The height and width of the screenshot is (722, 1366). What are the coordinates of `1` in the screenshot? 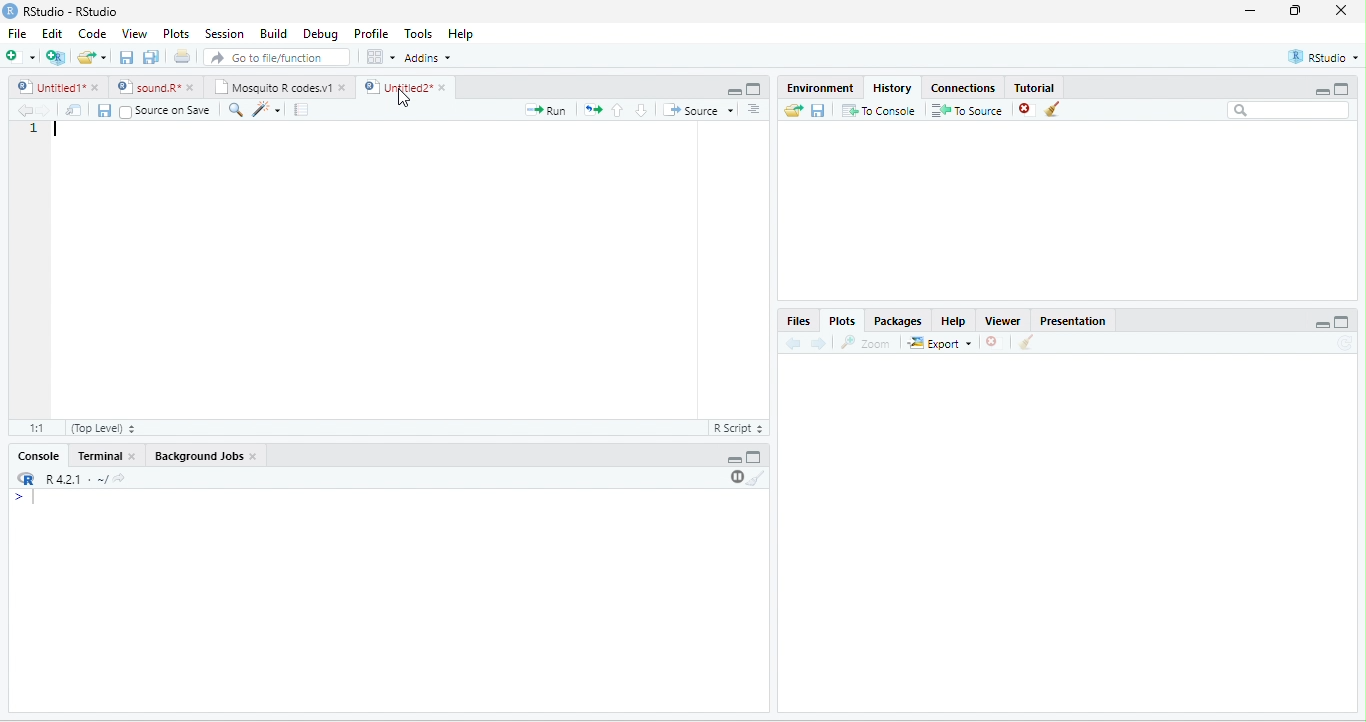 It's located at (34, 129).